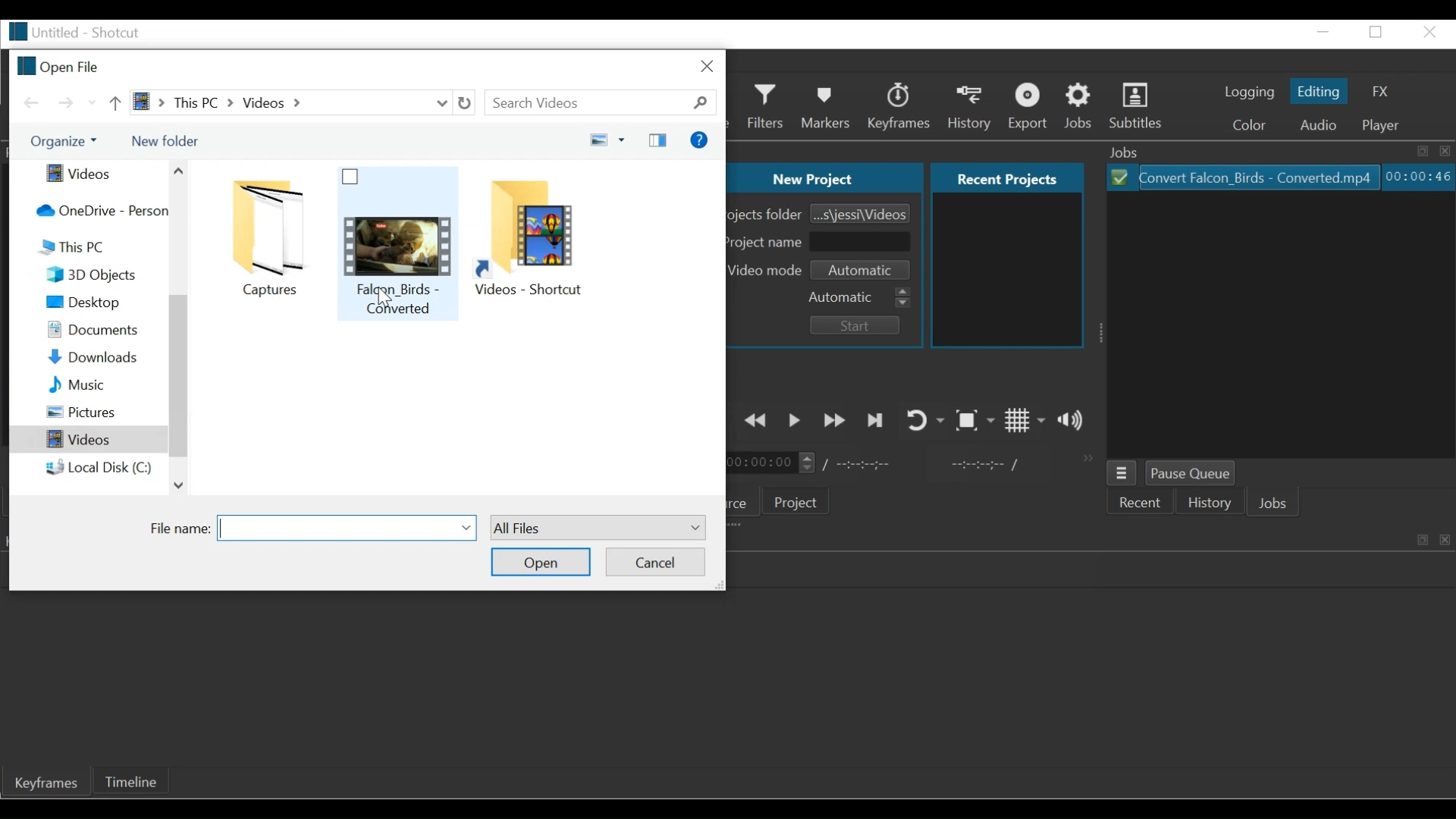 The width and height of the screenshot is (1456, 819). What do you see at coordinates (66, 103) in the screenshot?
I see `Go Forward` at bounding box center [66, 103].